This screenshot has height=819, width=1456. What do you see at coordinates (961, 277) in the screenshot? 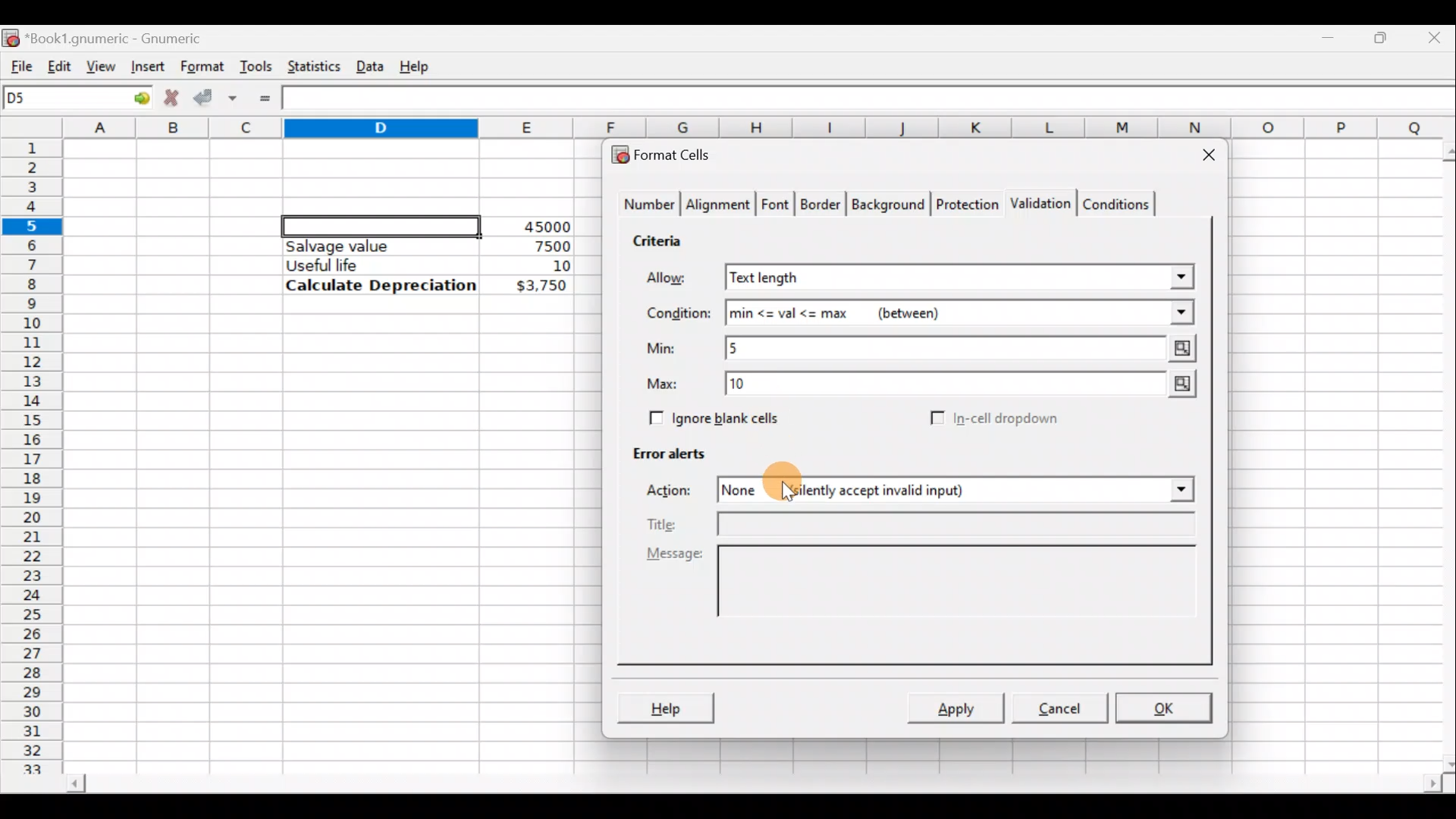
I see `Text length selected` at bounding box center [961, 277].